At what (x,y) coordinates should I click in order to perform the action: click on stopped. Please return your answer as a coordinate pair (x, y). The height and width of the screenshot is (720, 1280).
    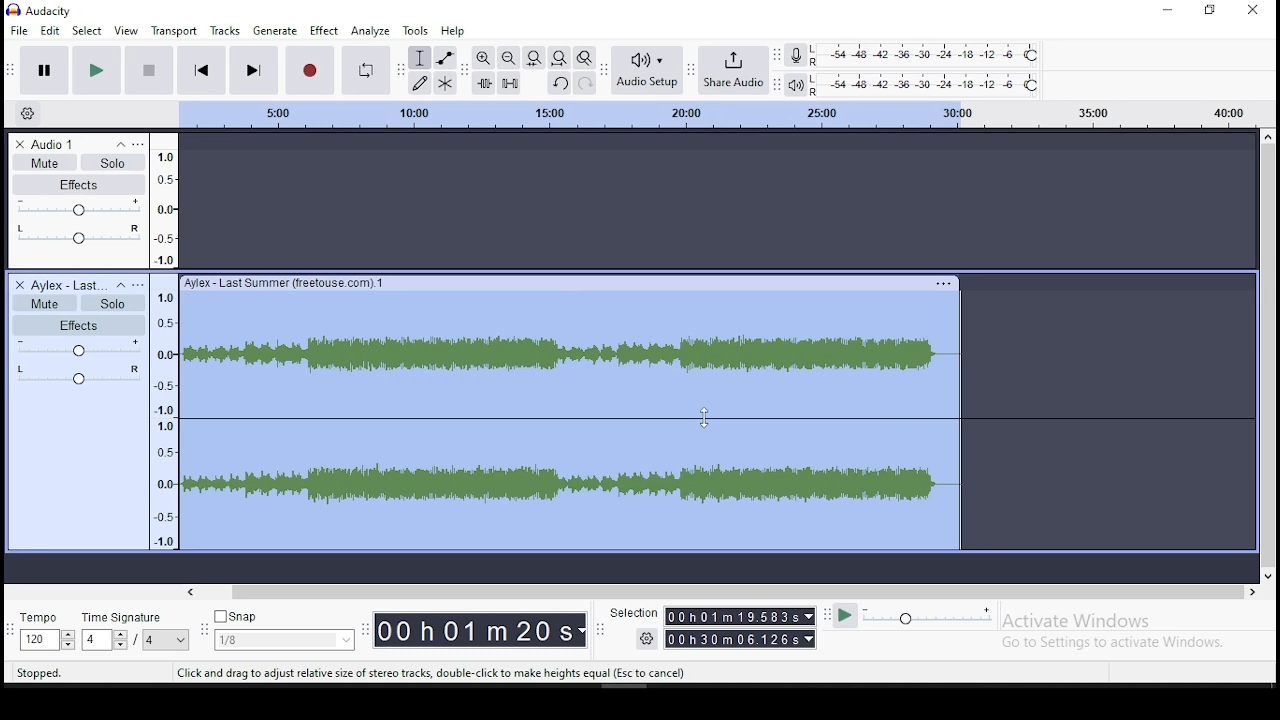
    Looking at the image, I should click on (40, 671).